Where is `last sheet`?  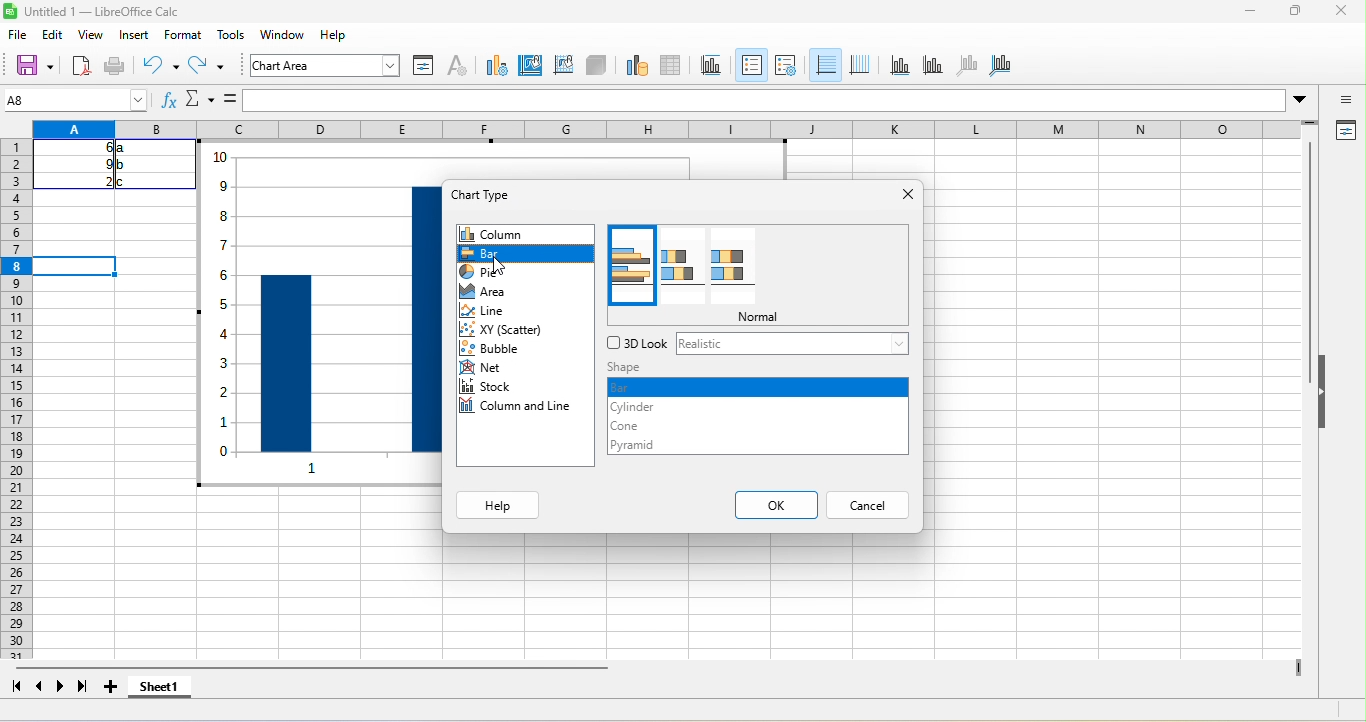 last sheet is located at coordinates (82, 684).